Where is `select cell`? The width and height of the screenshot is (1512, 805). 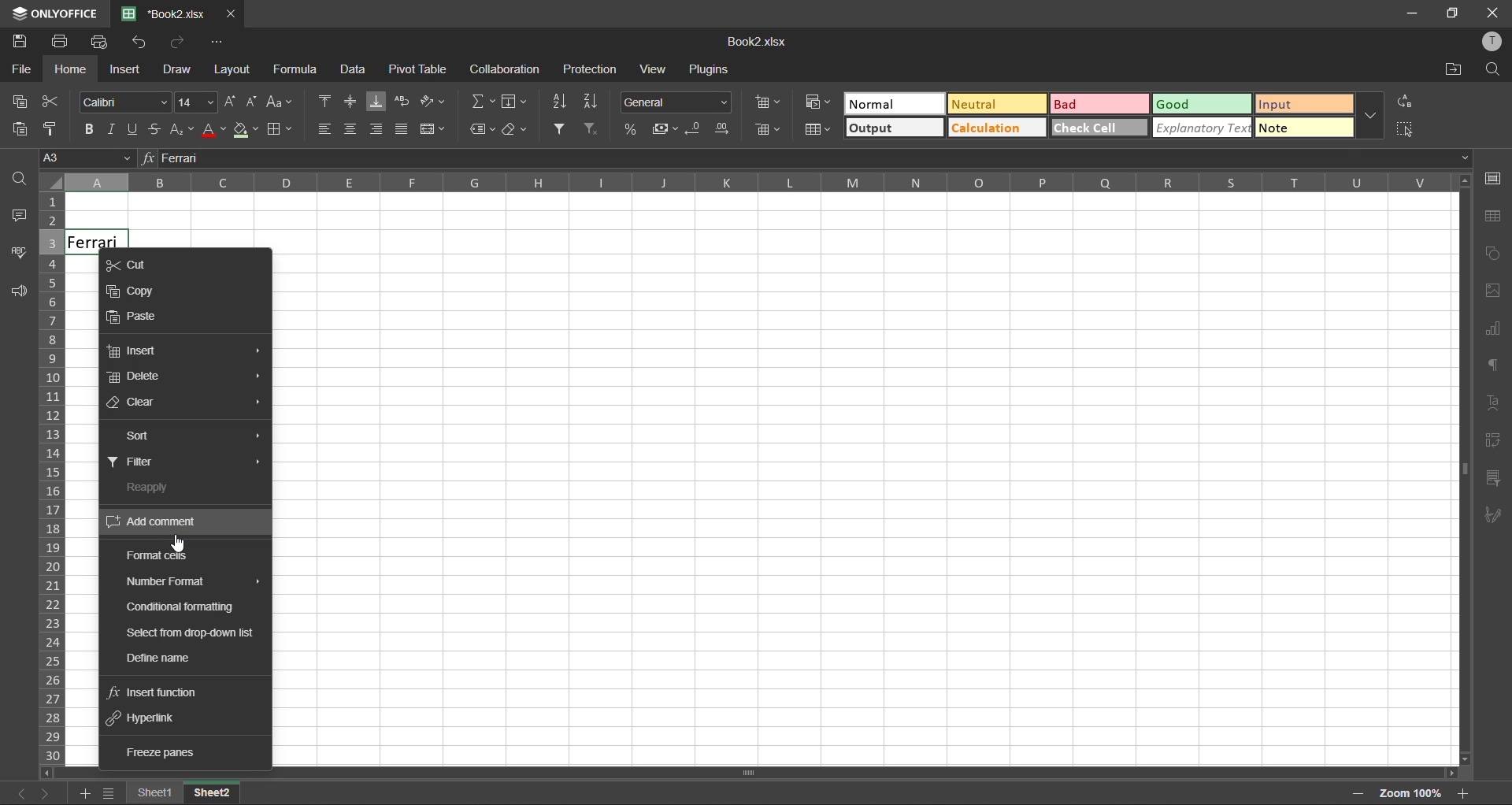
select cell is located at coordinates (1410, 132).